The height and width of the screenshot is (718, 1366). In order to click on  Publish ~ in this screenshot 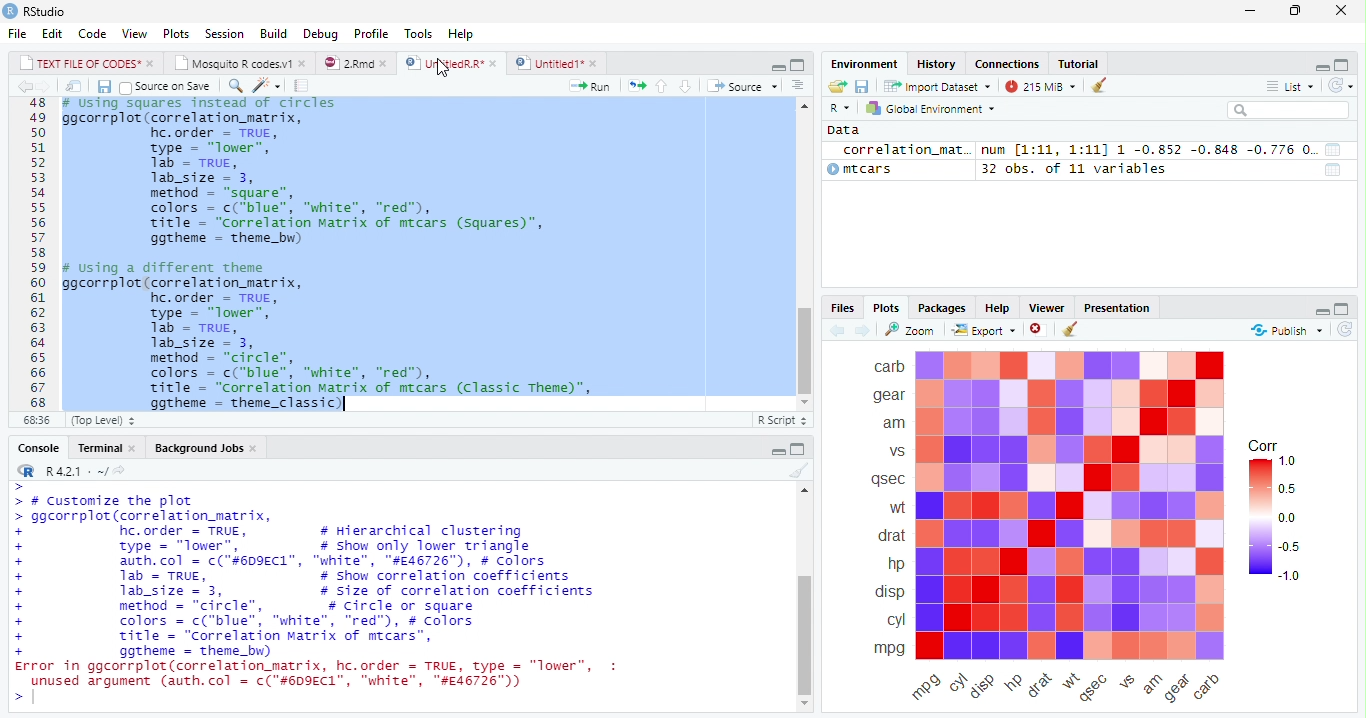, I will do `click(1285, 332)`.